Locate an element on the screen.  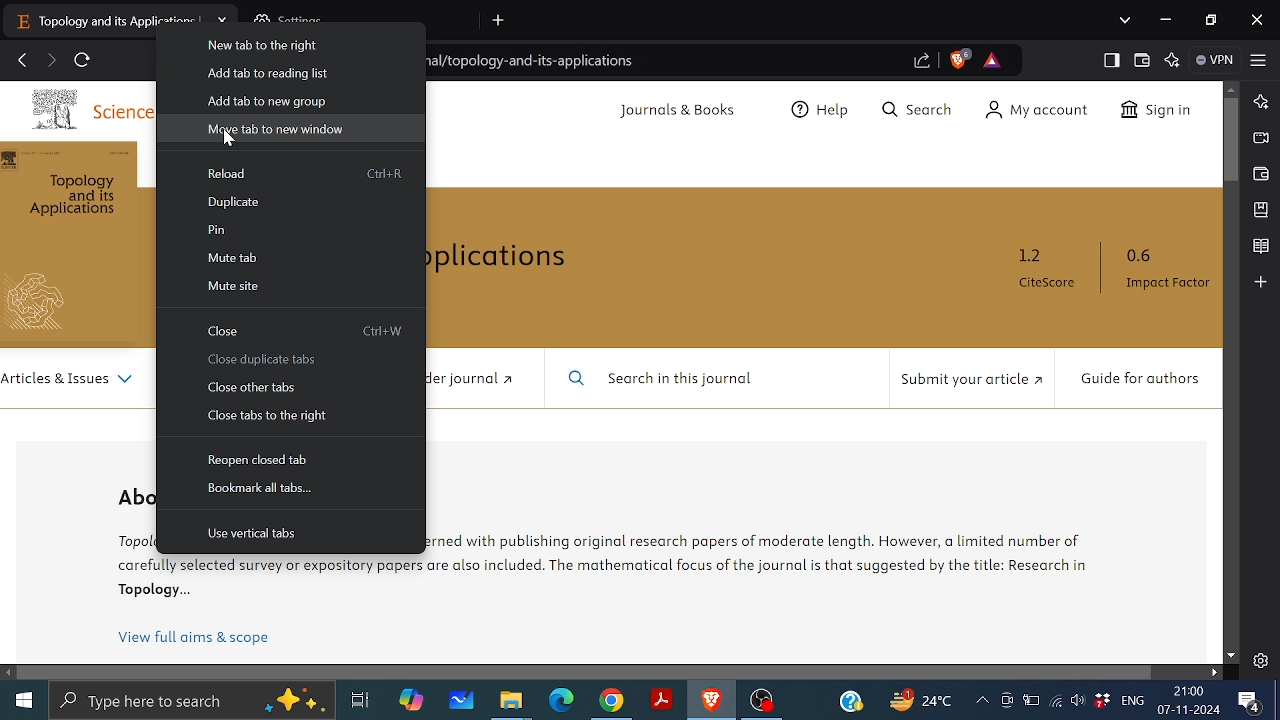
Internet access is located at coordinates (1058, 702).